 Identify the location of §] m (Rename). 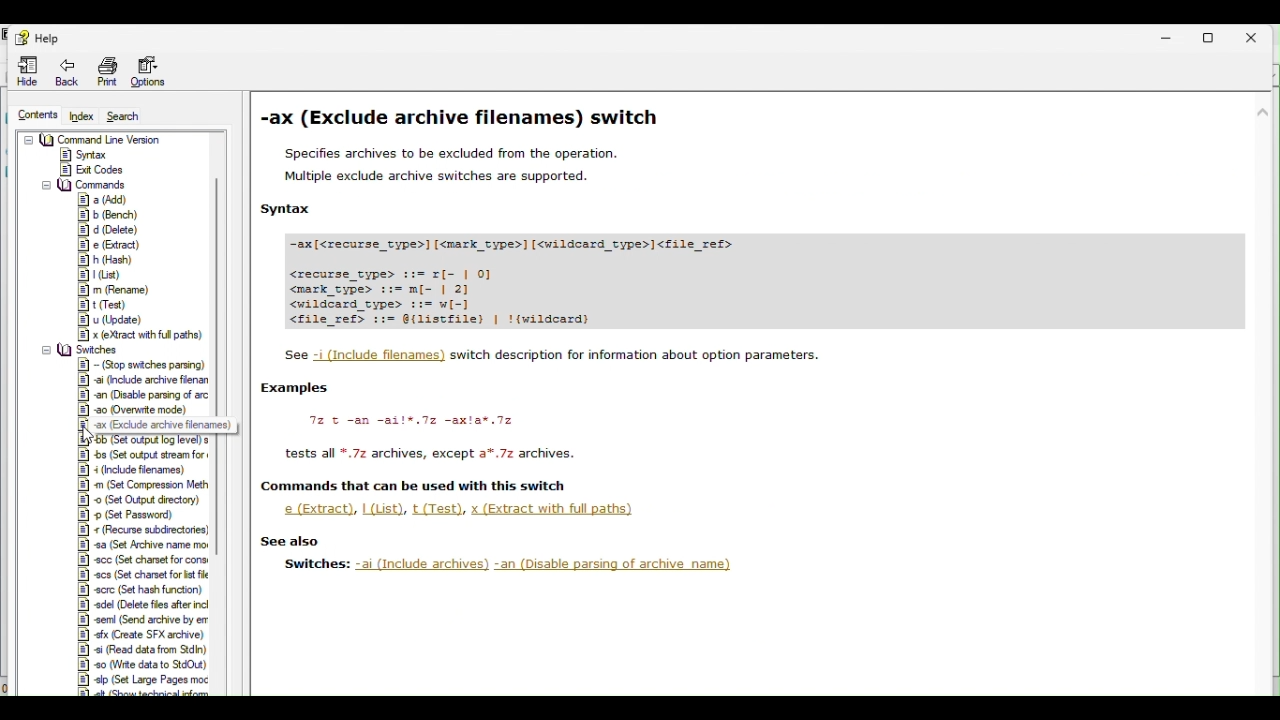
(115, 290).